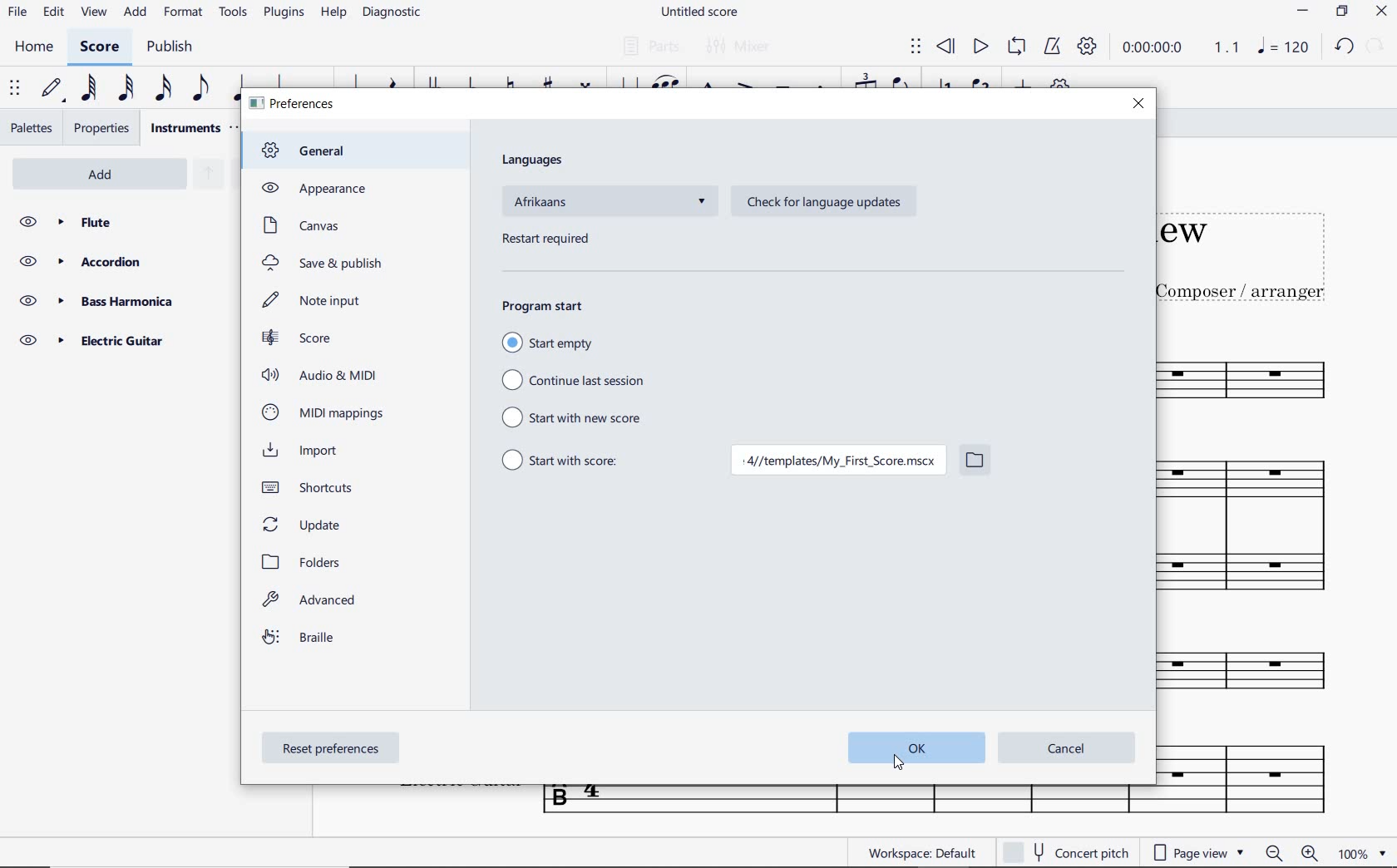 This screenshot has width=1397, height=868. Describe the element at coordinates (163, 89) in the screenshot. I see `16th note` at that location.